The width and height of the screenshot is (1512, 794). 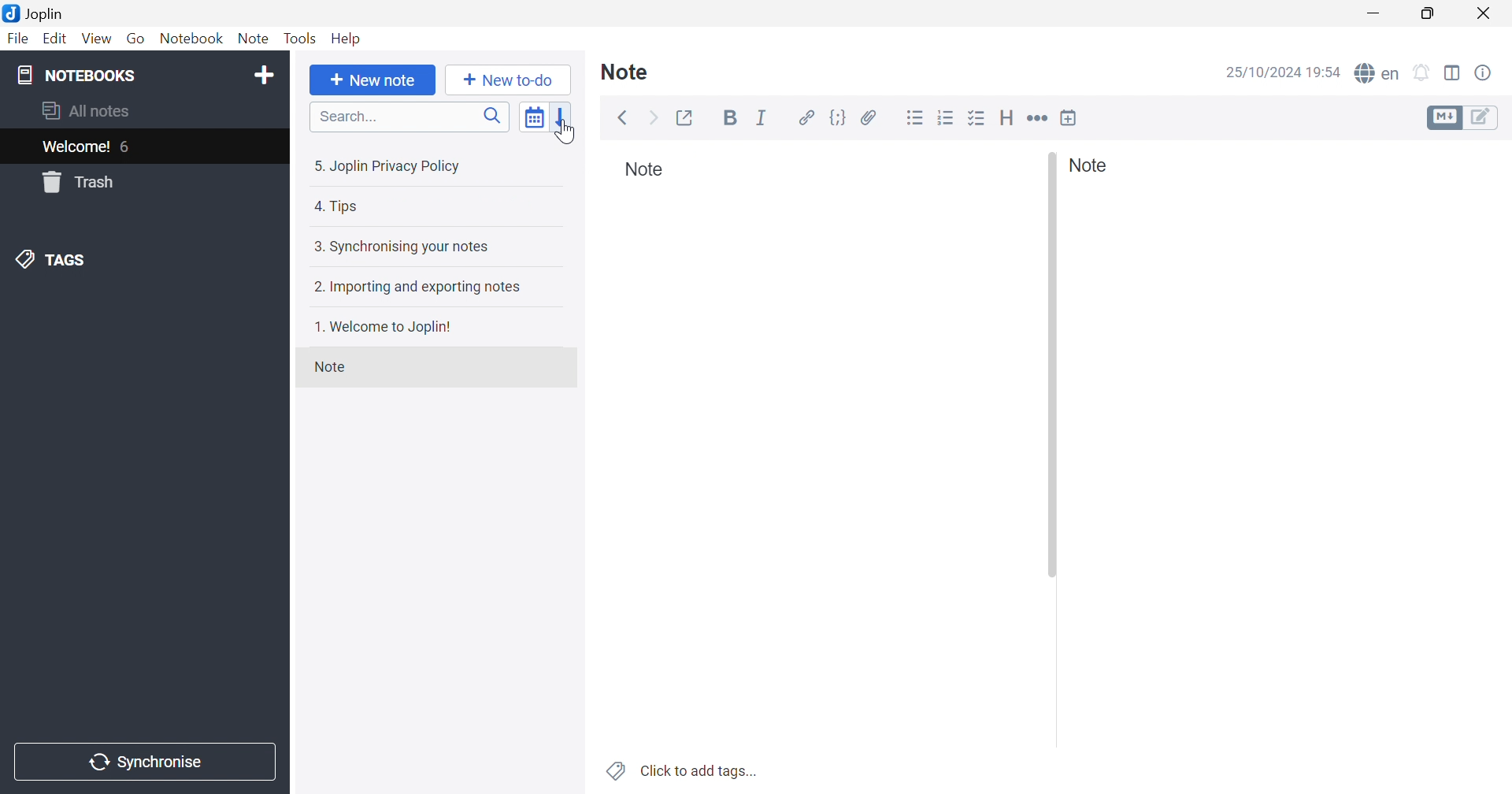 What do you see at coordinates (625, 70) in the screenshot?
I see `Note` at bounding box center [625, 70].